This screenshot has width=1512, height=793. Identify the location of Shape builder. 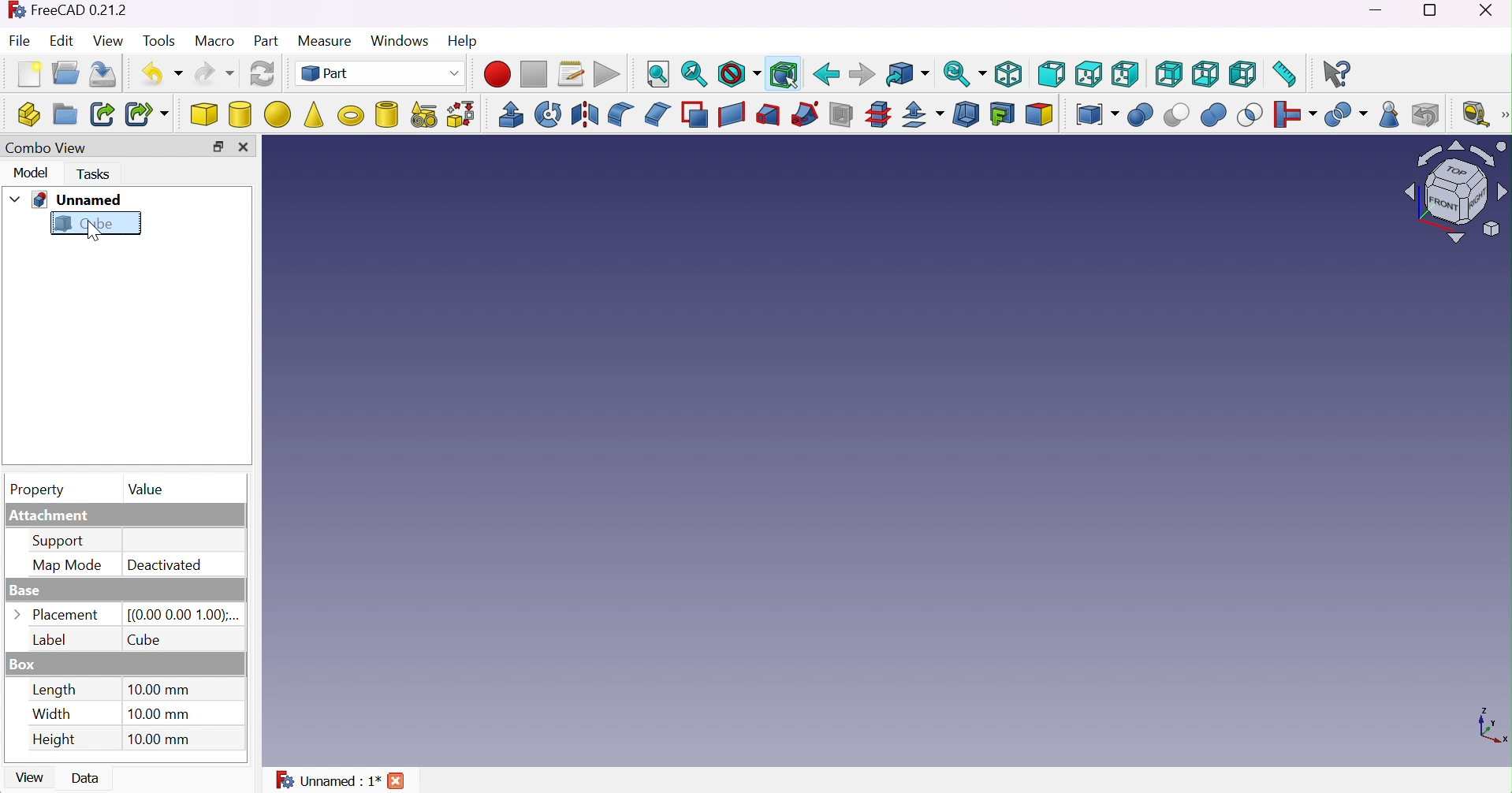
(462, 114).